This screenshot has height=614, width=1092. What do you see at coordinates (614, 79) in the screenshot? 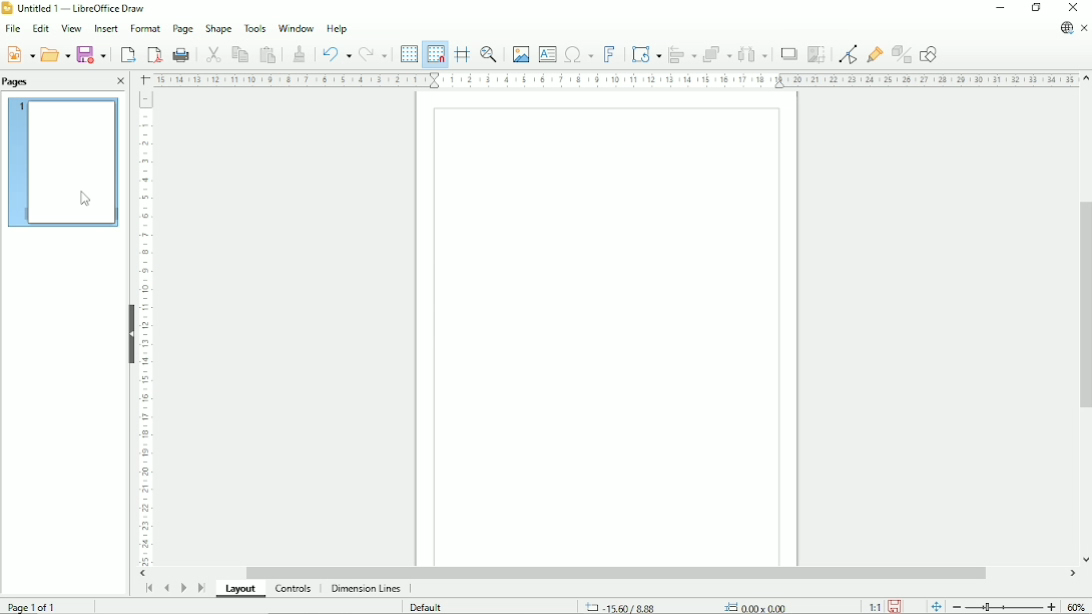
I see `Horizontal scale` at bounding box center [614, 79].